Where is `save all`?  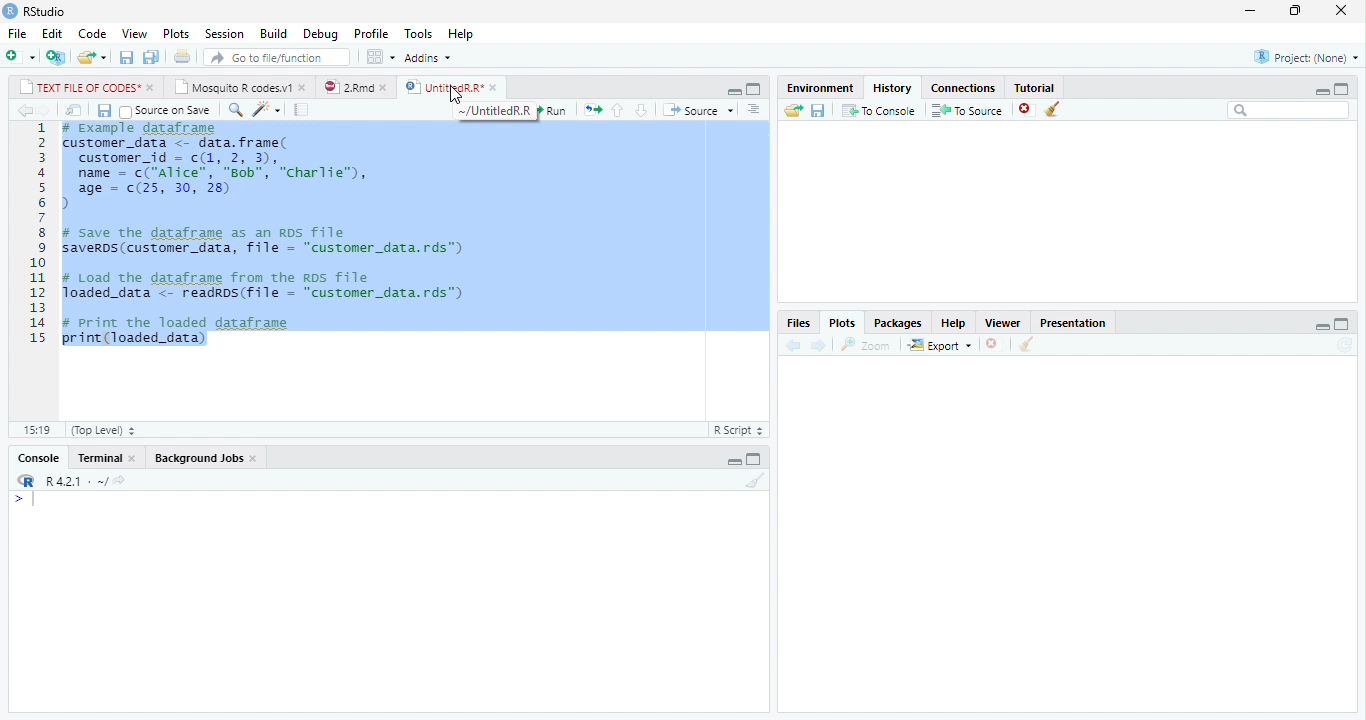 save all is located at coordinates (151, 58).